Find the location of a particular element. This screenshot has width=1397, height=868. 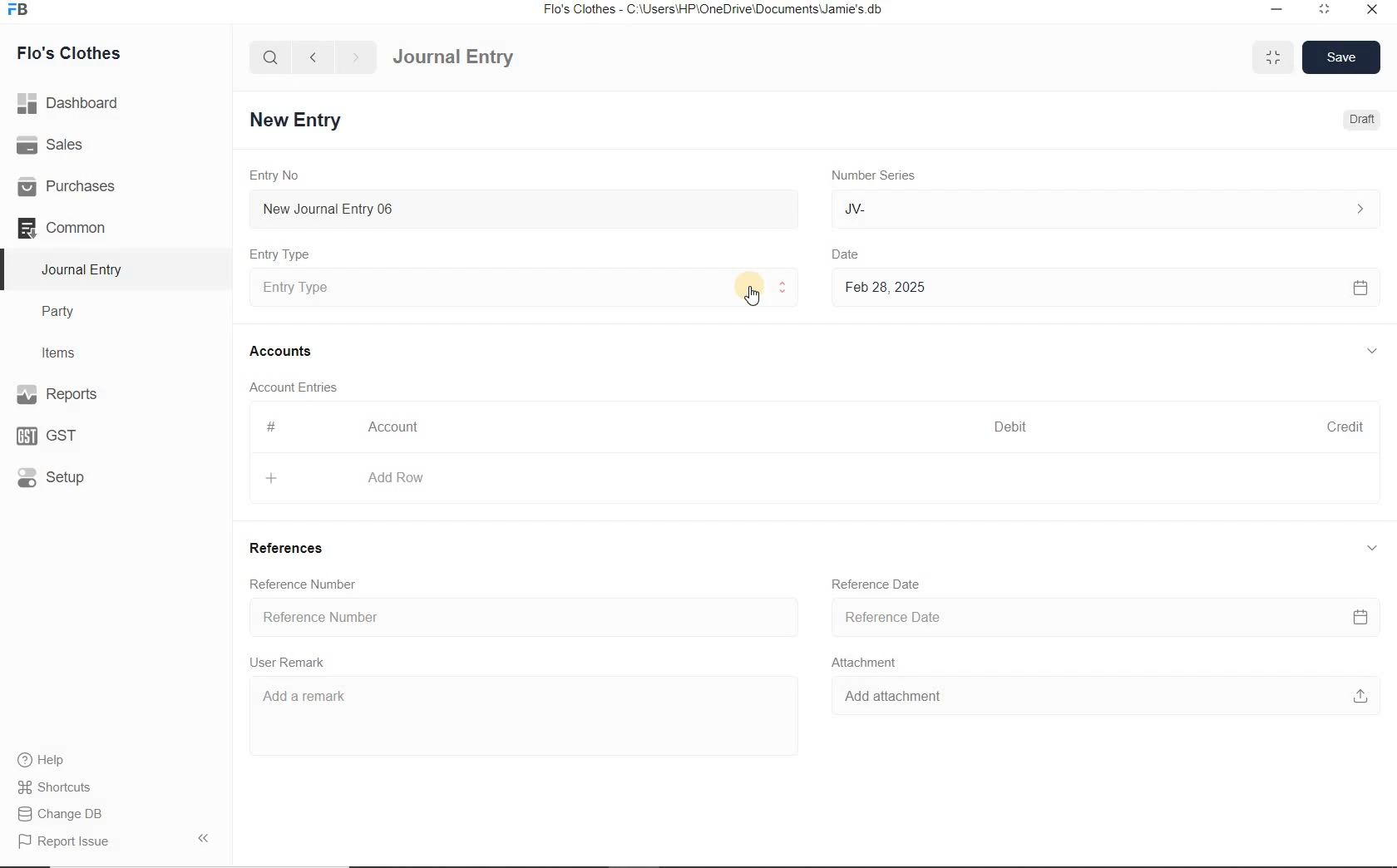

Date is located at coordinates (857, 252).